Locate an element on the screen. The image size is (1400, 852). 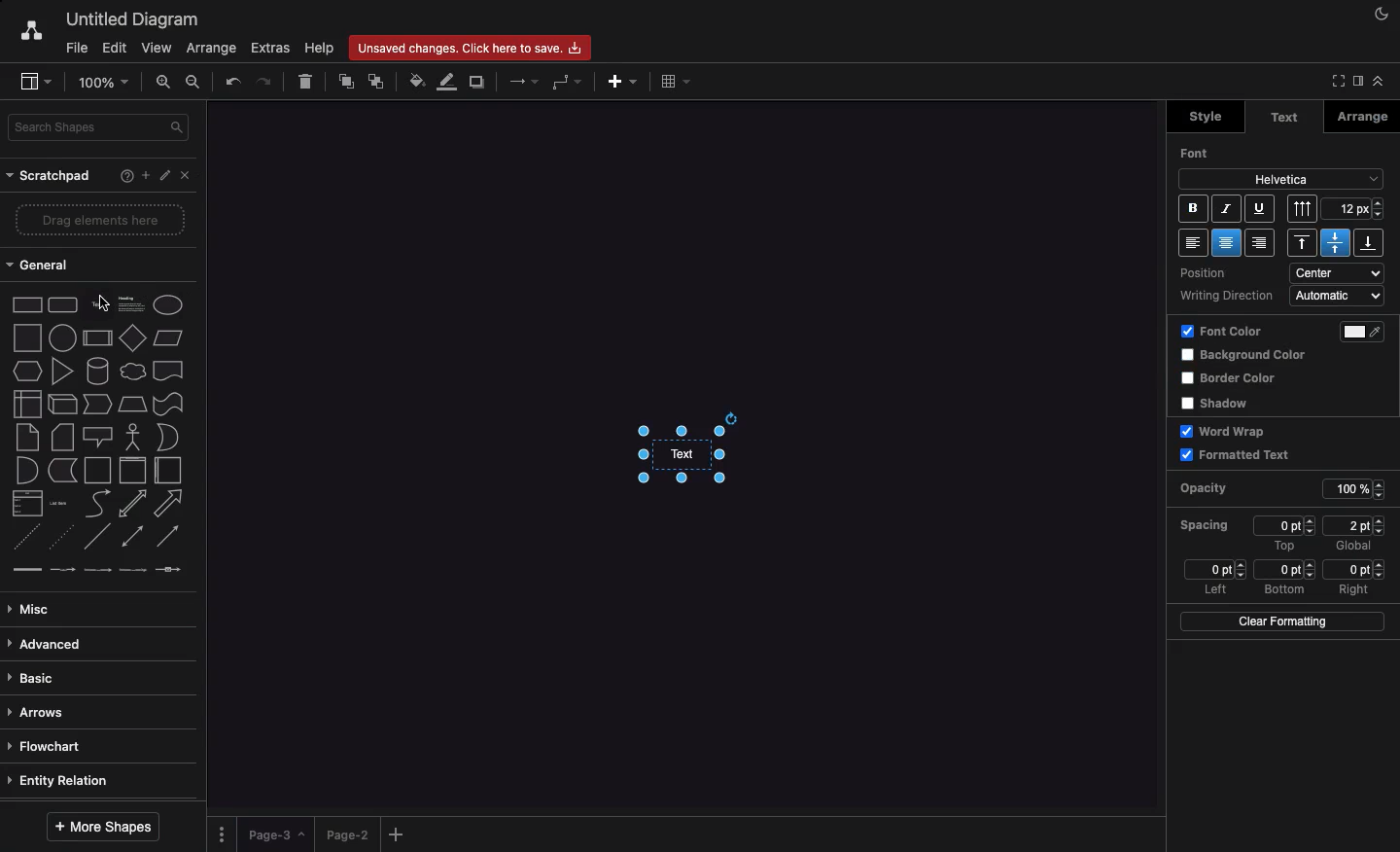
Shadow is located at coordinates (1221, 403).